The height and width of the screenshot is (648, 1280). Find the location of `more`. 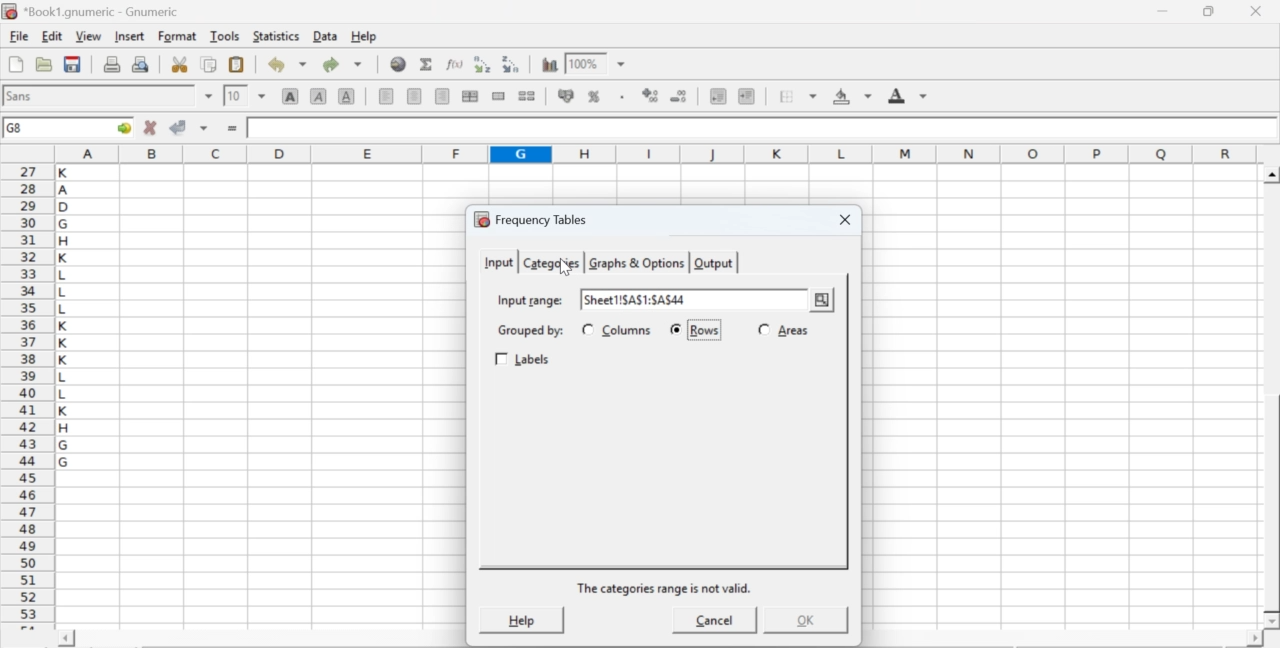

more is located at coordinates (822, 301).